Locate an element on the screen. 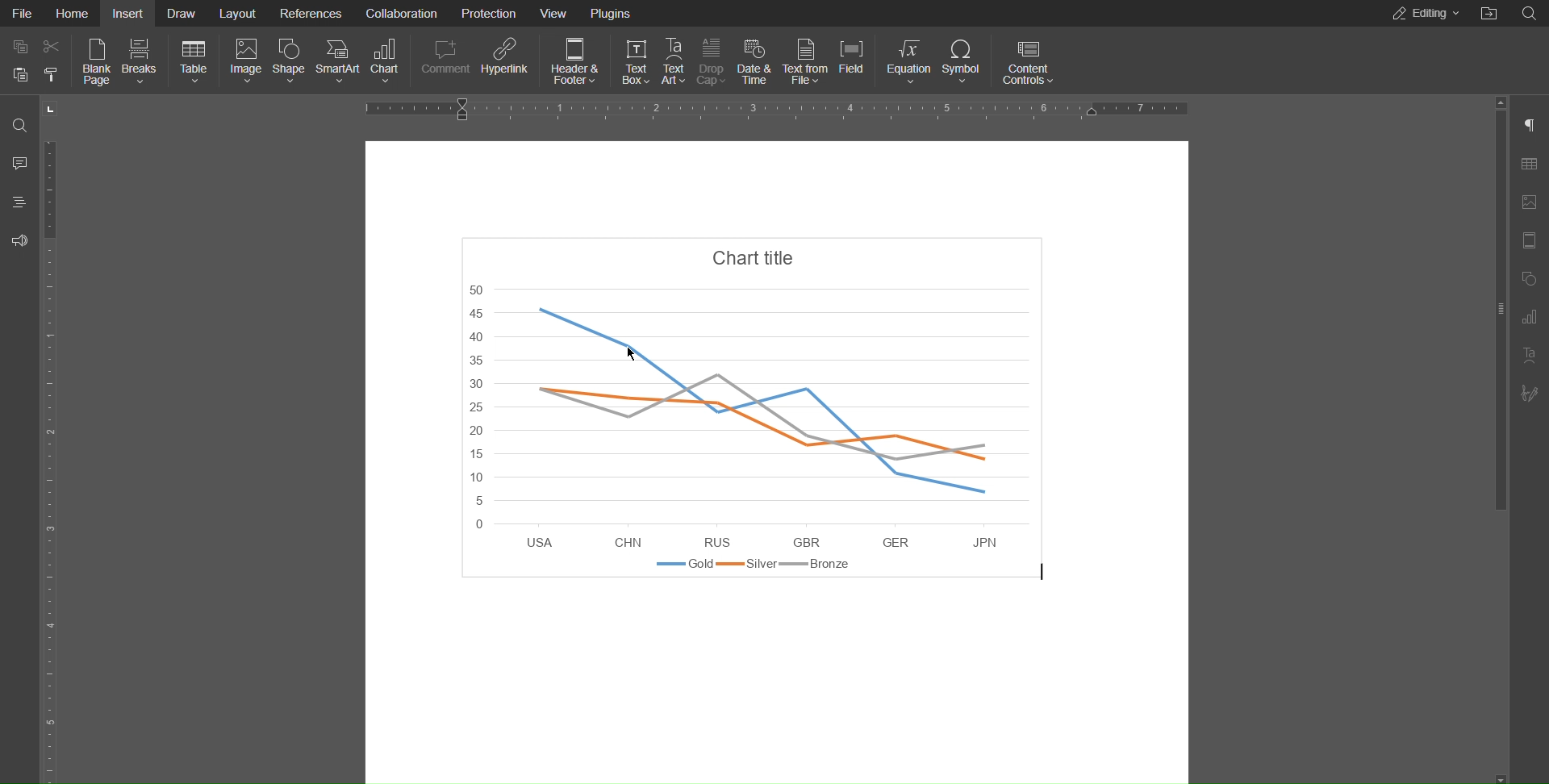 The height and width of the screenshot is (784, 1549). Search is located at coordinates (19, 123).